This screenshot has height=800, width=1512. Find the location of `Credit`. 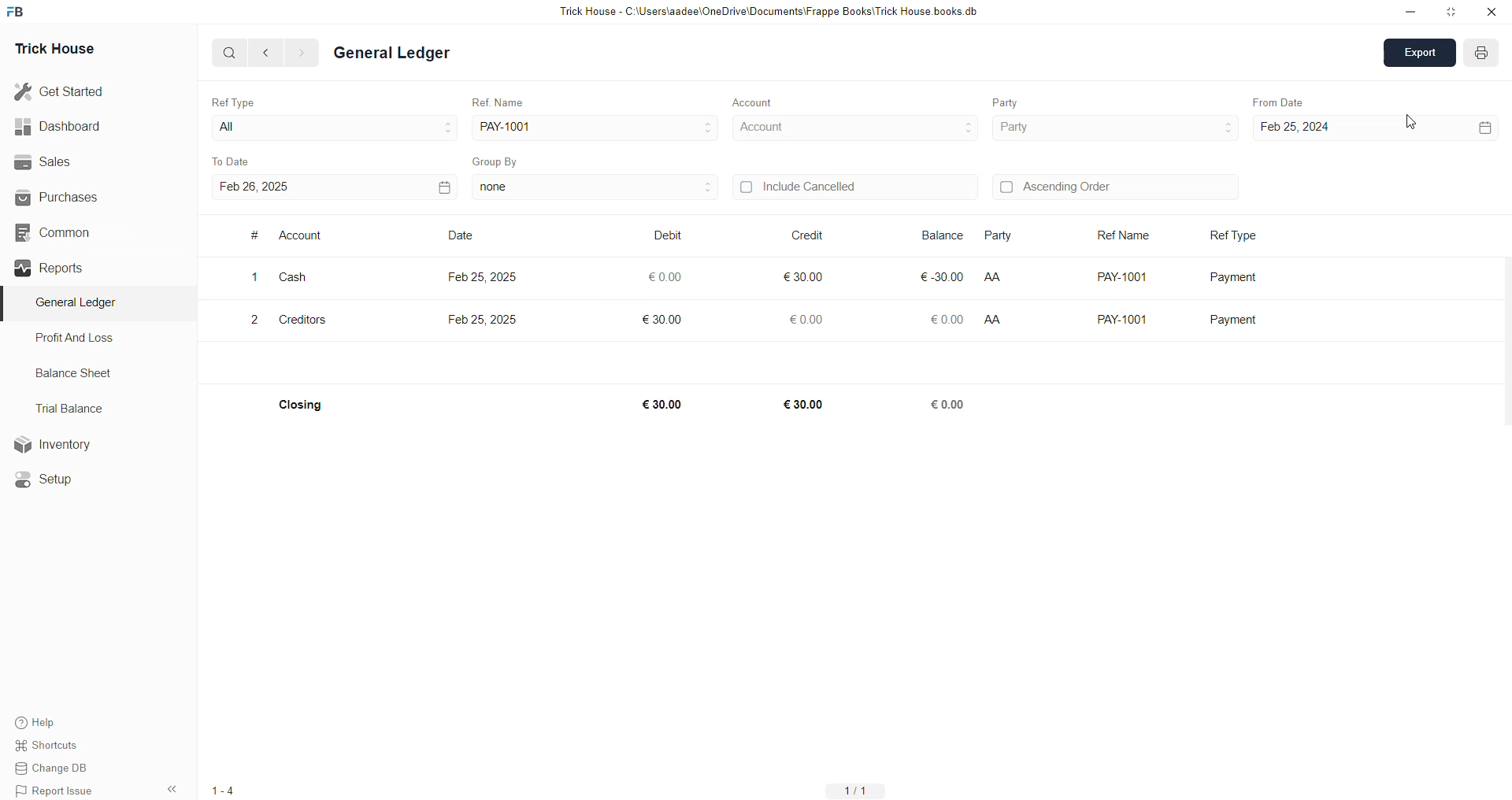

Credit is located at coordinates (807, 235).